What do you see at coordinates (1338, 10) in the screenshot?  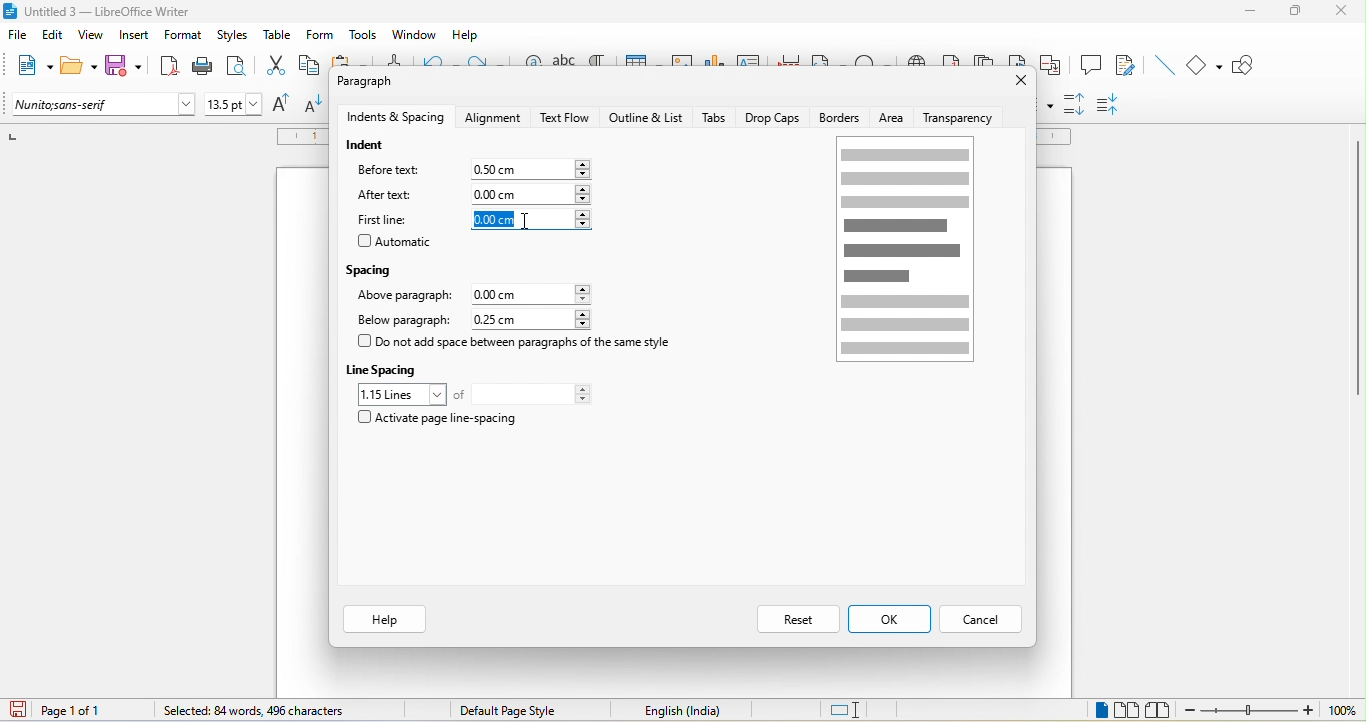 I see `close` at bounding box center [1338, 10].